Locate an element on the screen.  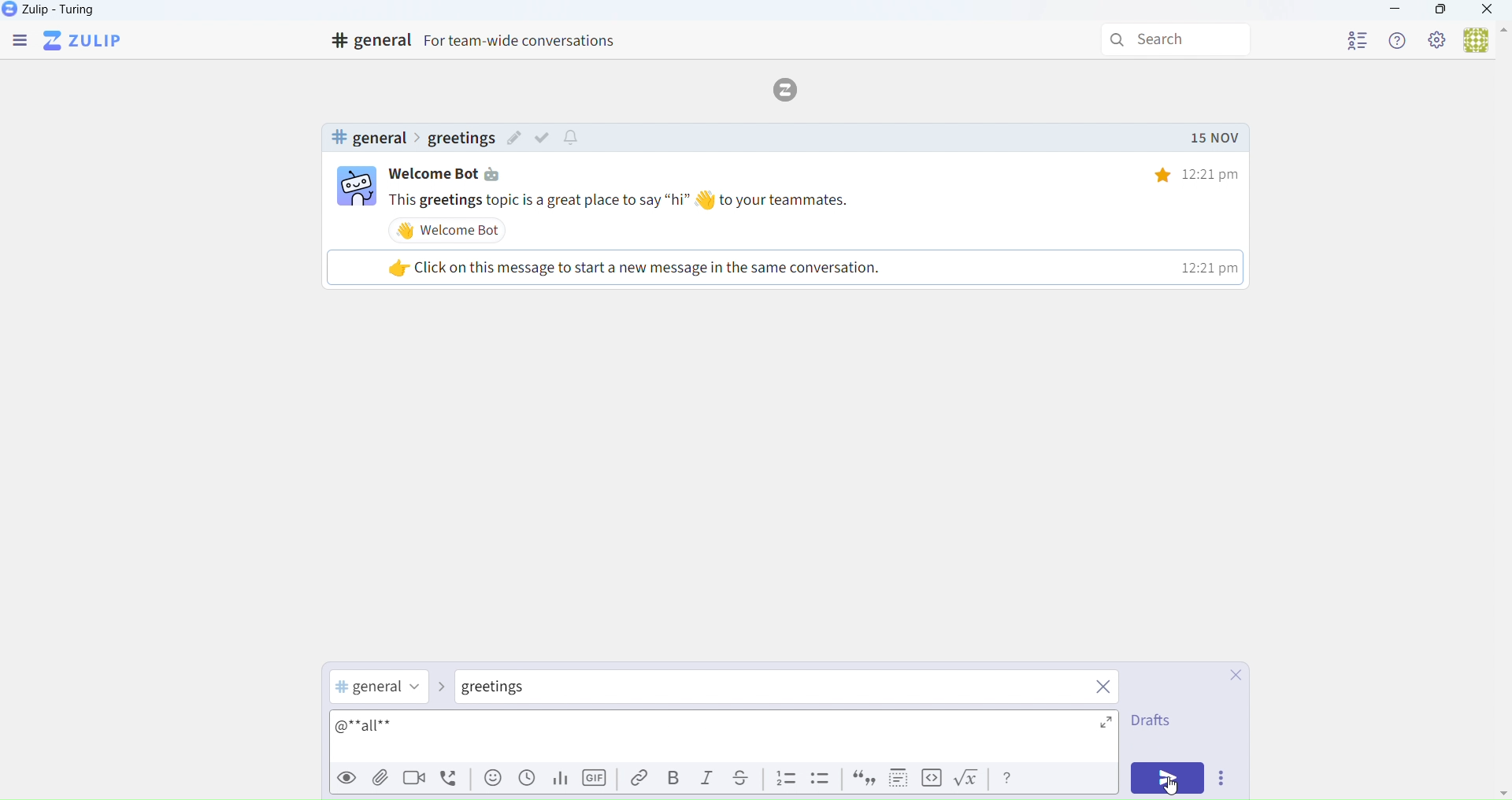
general is located at coordinates (368, 138).